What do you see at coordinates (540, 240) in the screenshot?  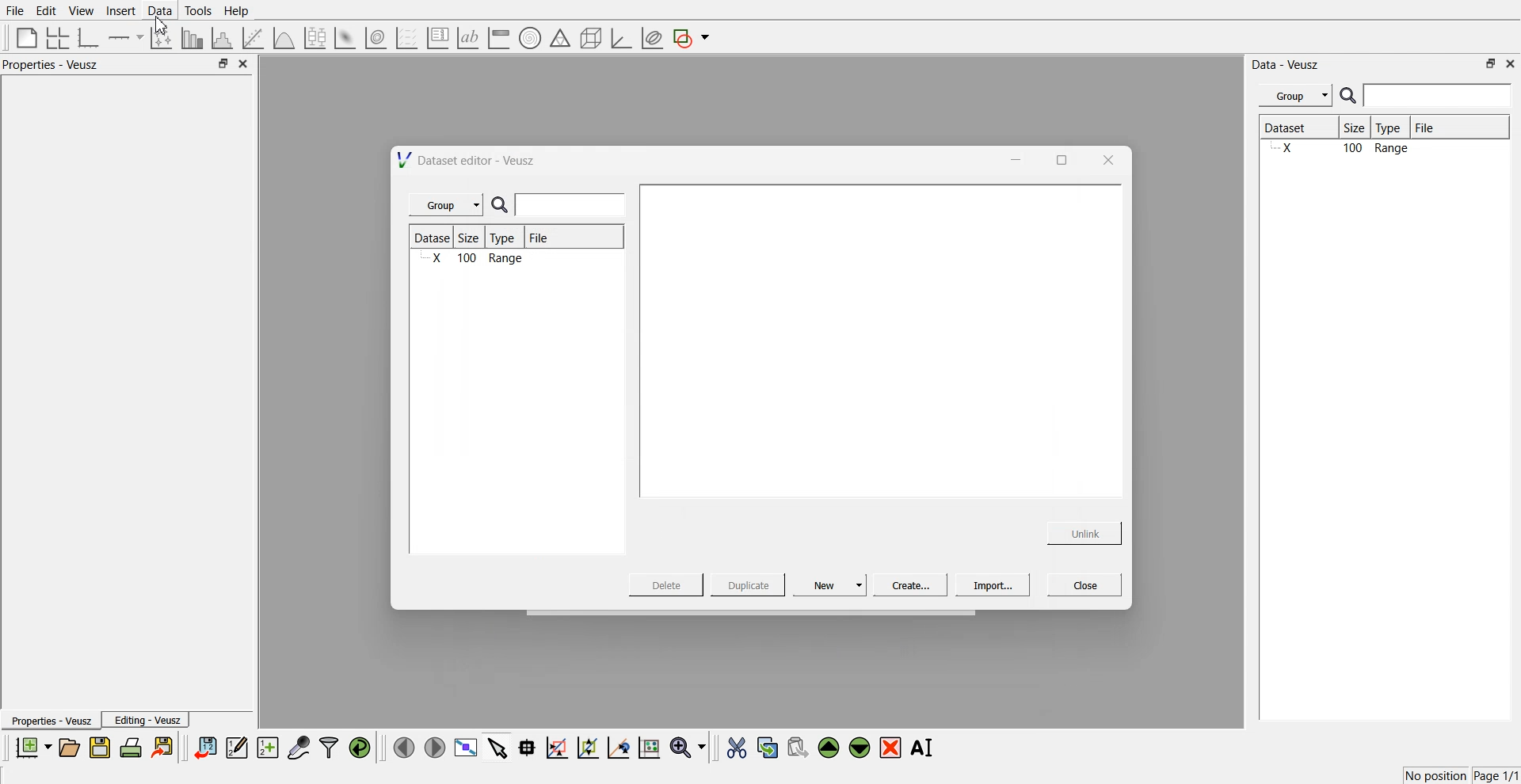 I see `File` at bounding box center [540, 240].